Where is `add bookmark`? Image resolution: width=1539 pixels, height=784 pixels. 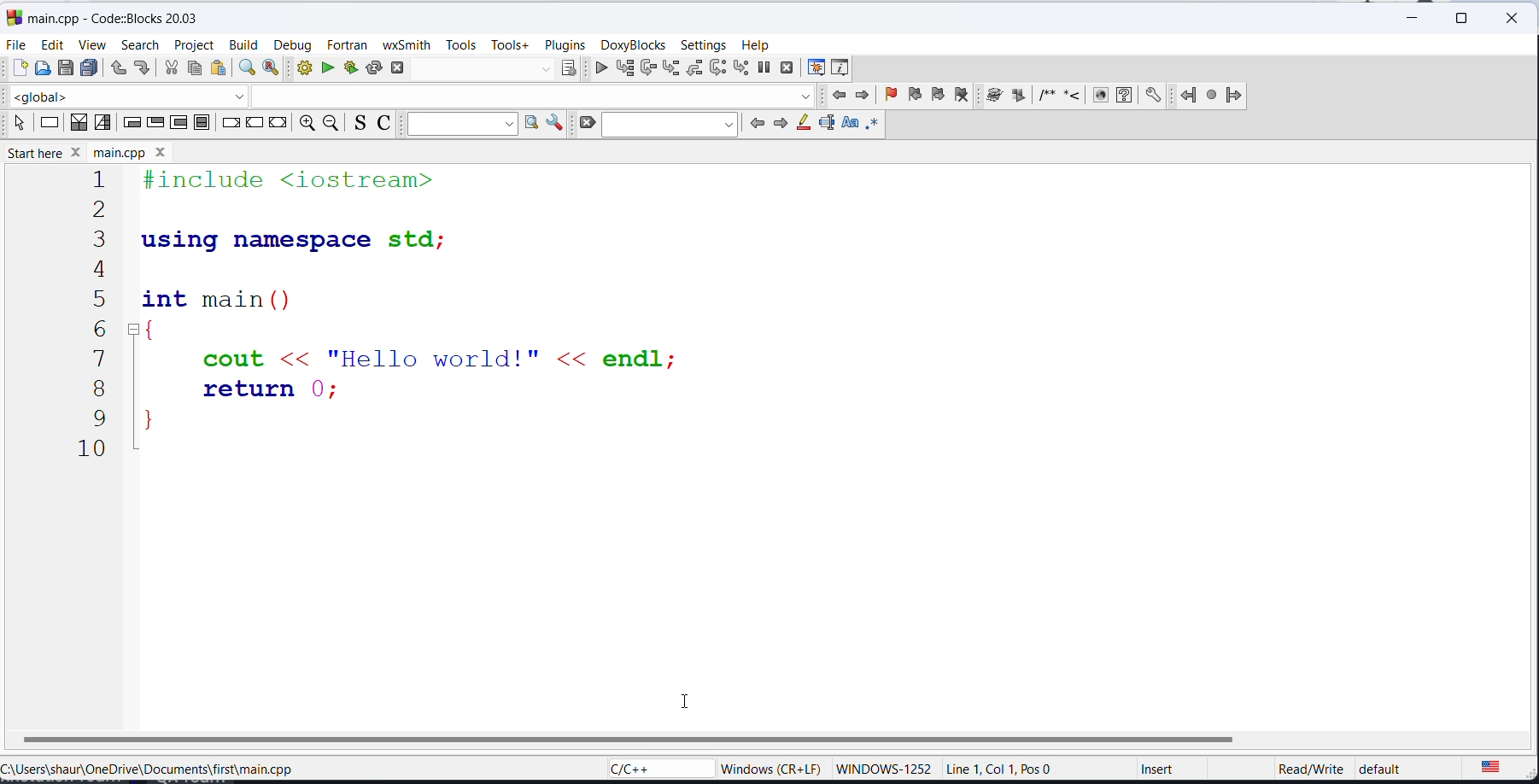
add bookmark is located at coordinates (889, 96).